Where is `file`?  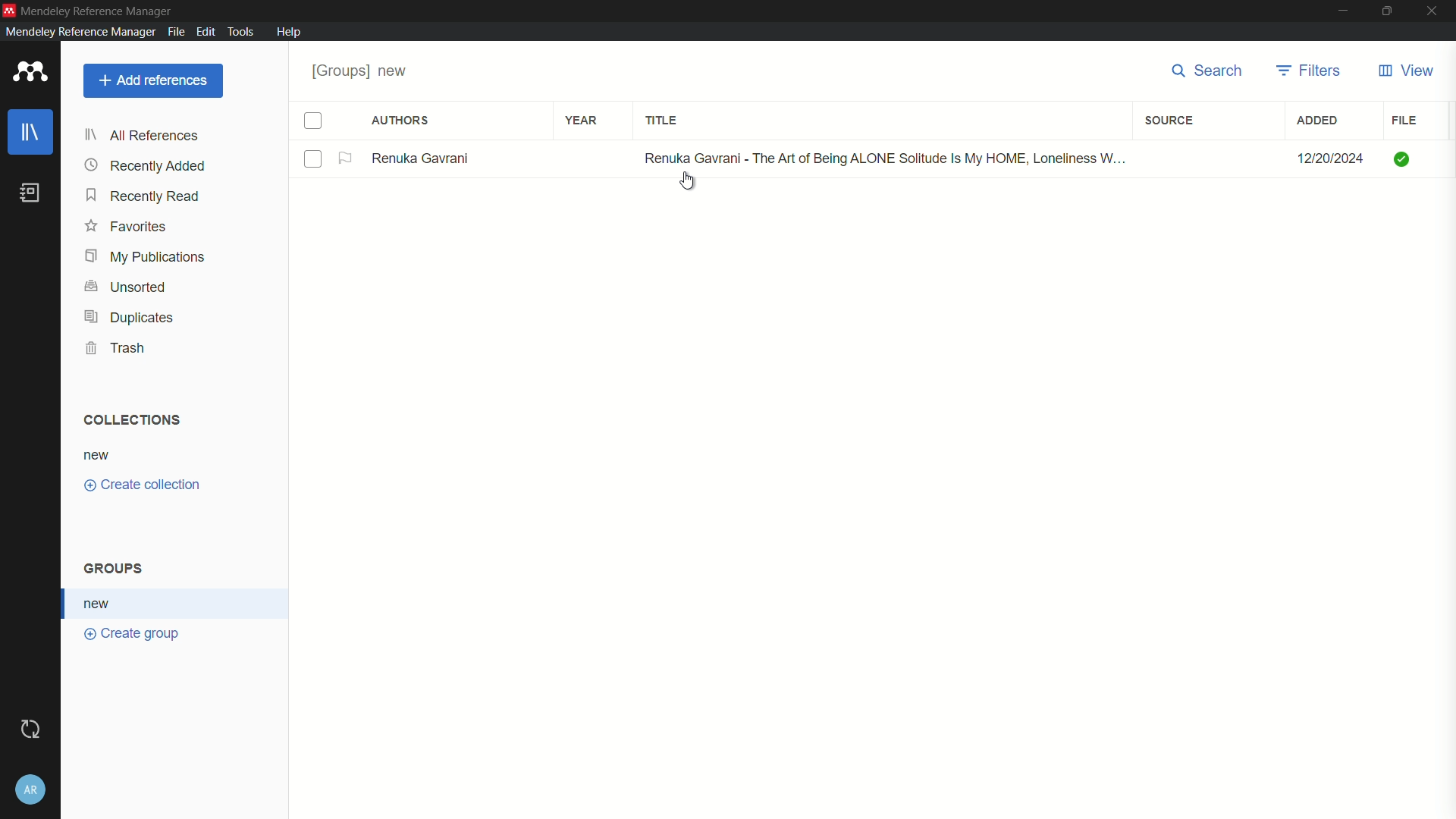
file is located at coordinates (1404, 121).